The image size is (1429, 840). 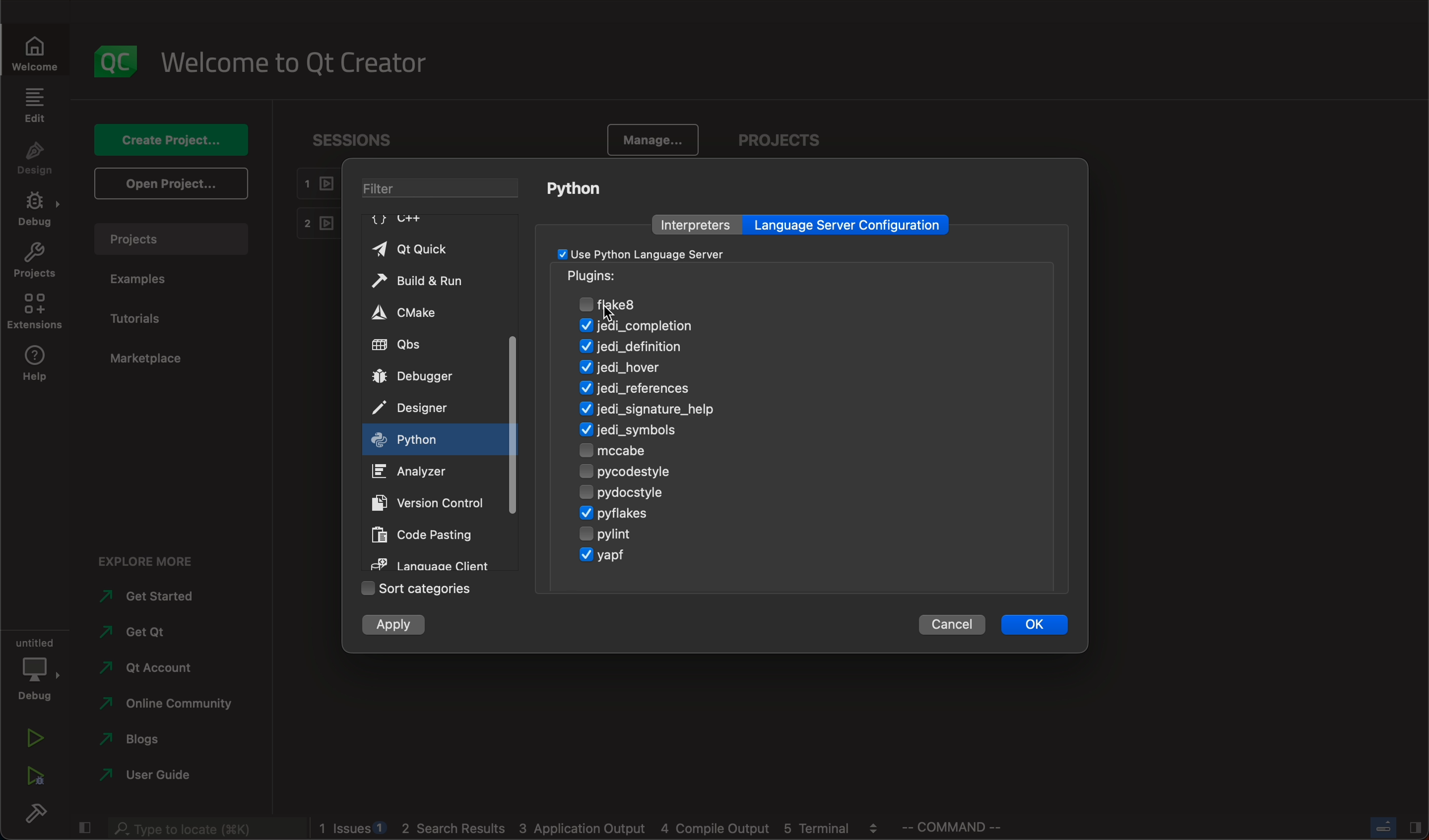 I want to click on run debug, so click(x=31, y=778).